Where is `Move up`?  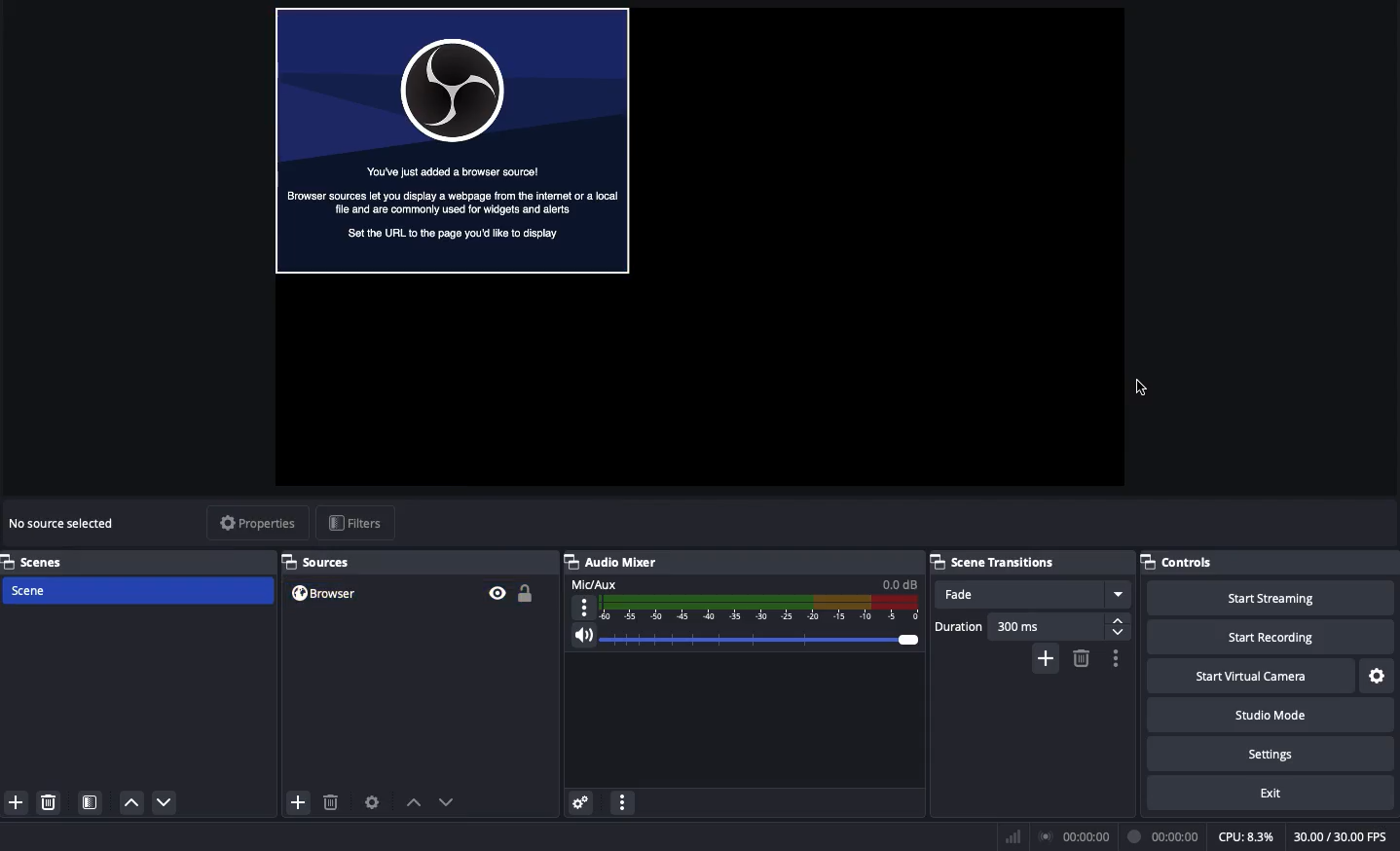
Move up is located at coordinates (411, 801).